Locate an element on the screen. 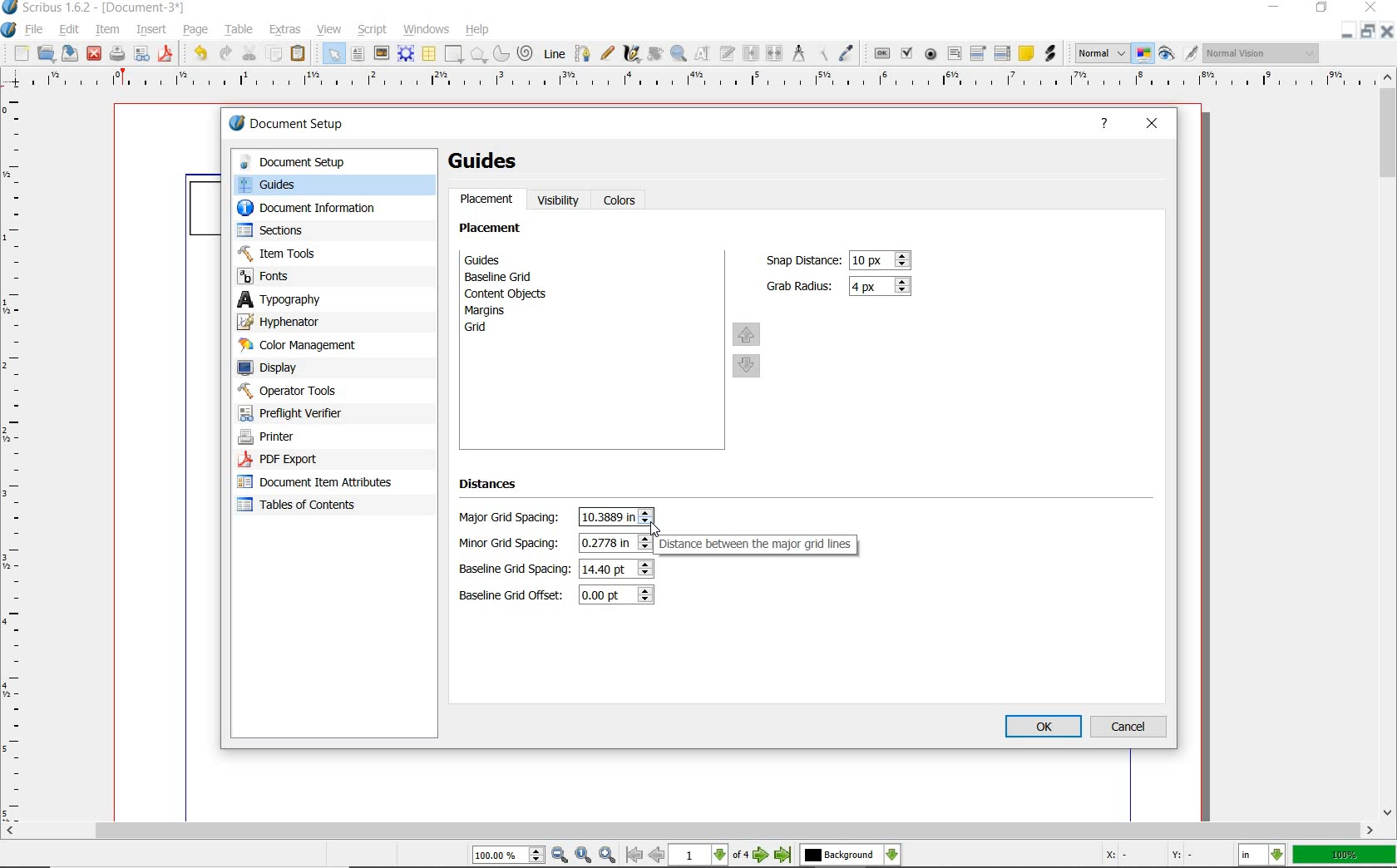 This screenshot has height=868, width=1397. paste is located at coordinates (301, 55).